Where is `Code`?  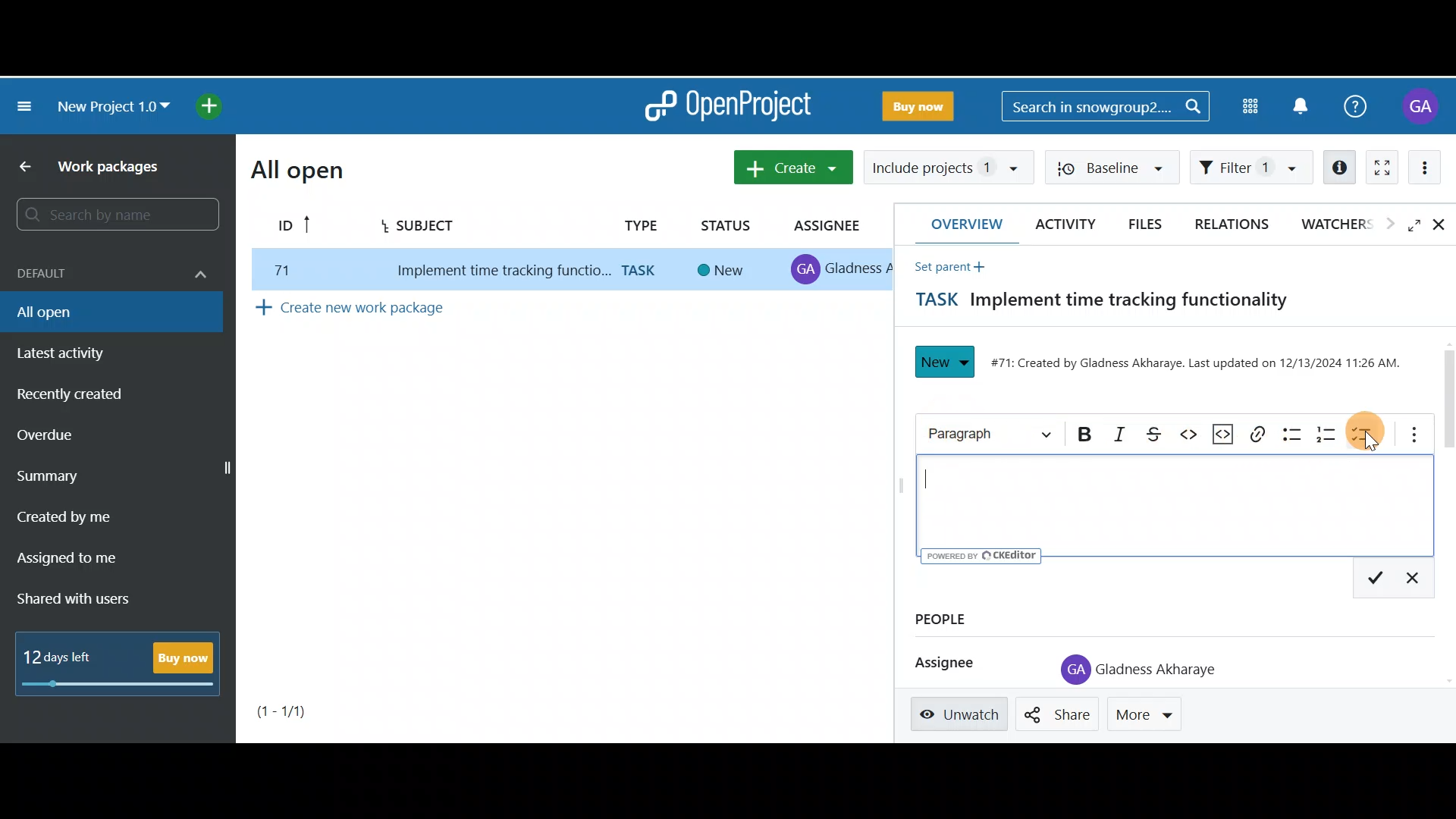
Code is located at coordinates (1193, 435).